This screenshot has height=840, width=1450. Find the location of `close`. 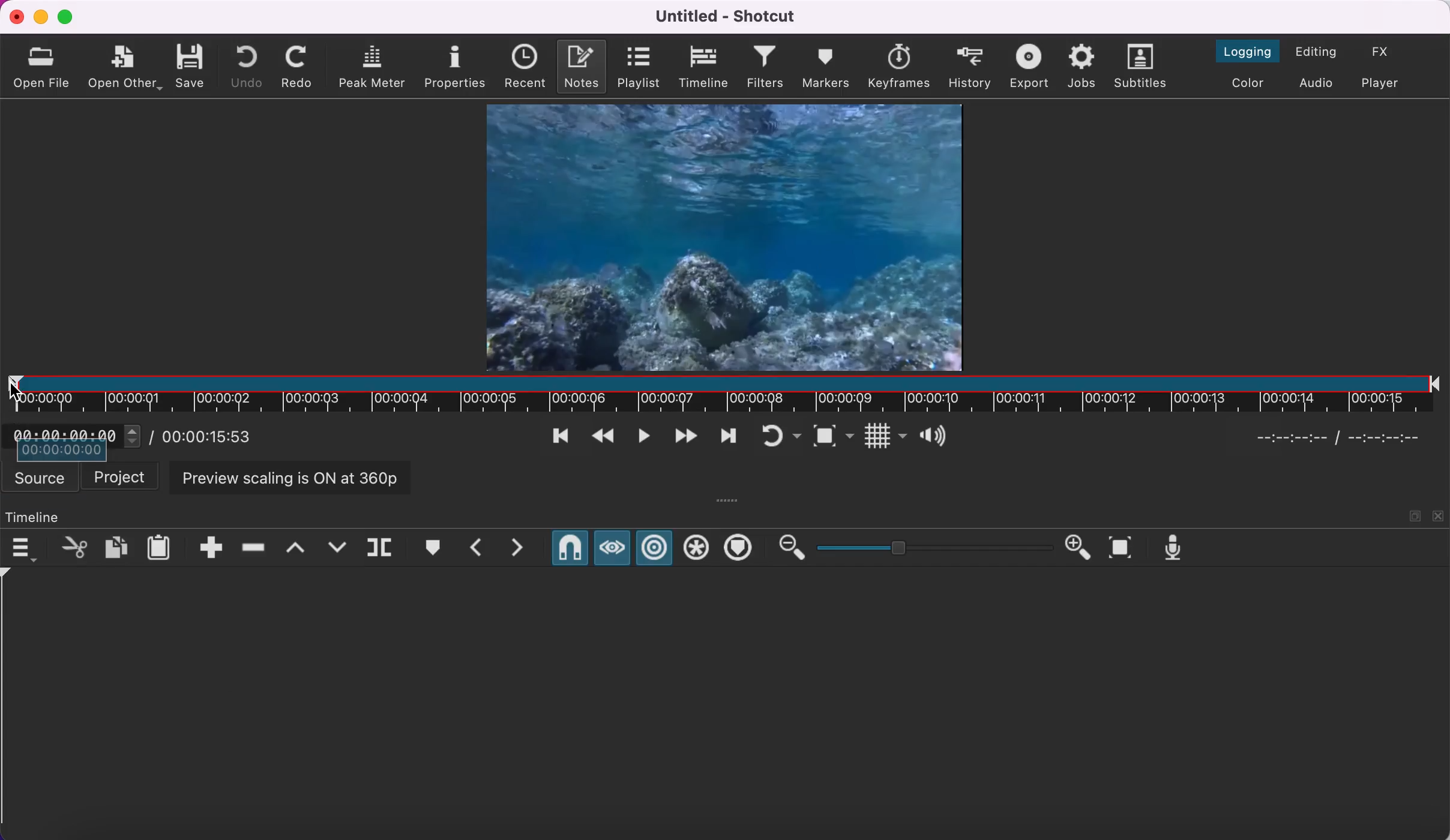

close is located at coordinates (14, 16).